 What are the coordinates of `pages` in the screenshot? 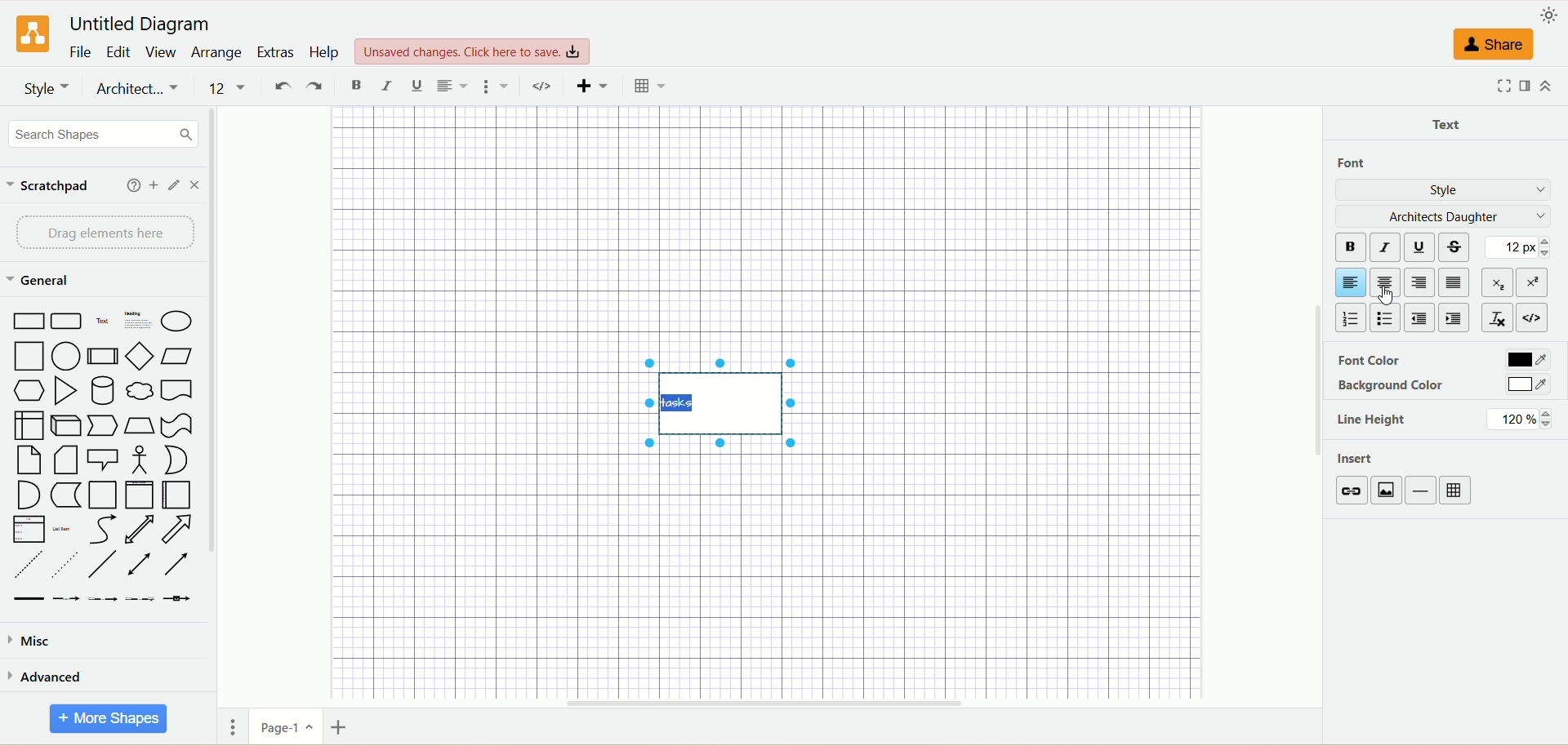 It's located at (233, 729).